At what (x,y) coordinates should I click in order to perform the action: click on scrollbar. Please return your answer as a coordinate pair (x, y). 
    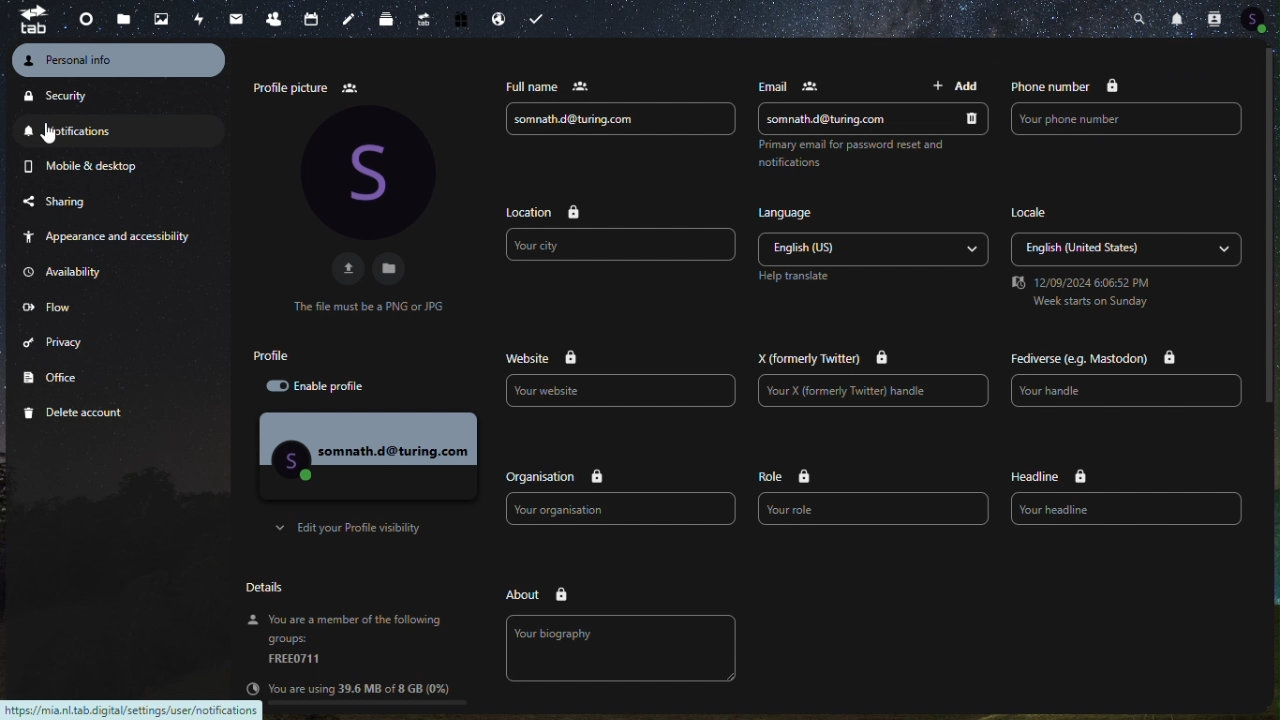
    Looking at the image, I should click on (1272, 227).